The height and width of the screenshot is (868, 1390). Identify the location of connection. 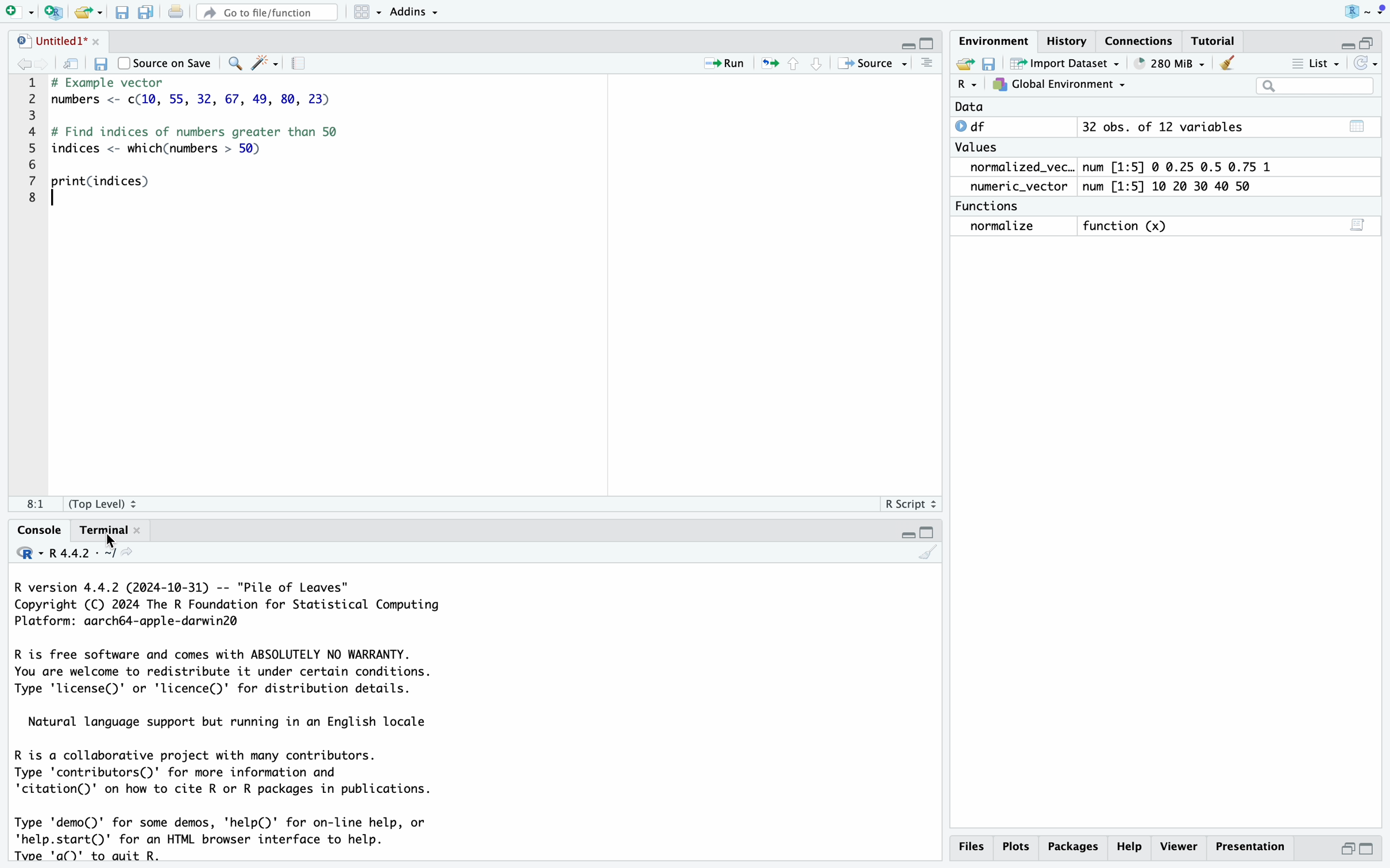
(1144, 41).